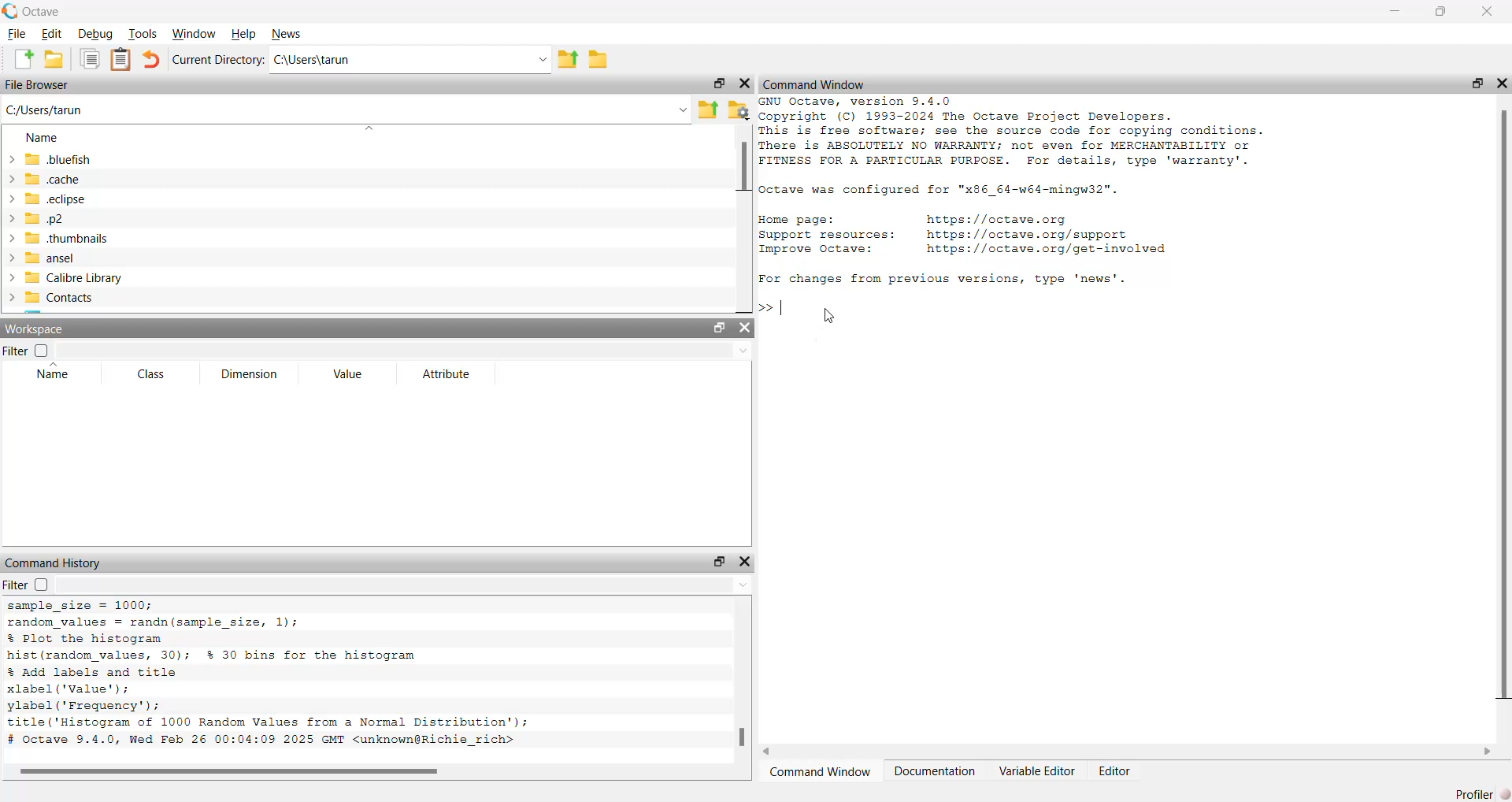 This screenshot has width=1512, height=802. I want to click on logo, so click(10, 10).